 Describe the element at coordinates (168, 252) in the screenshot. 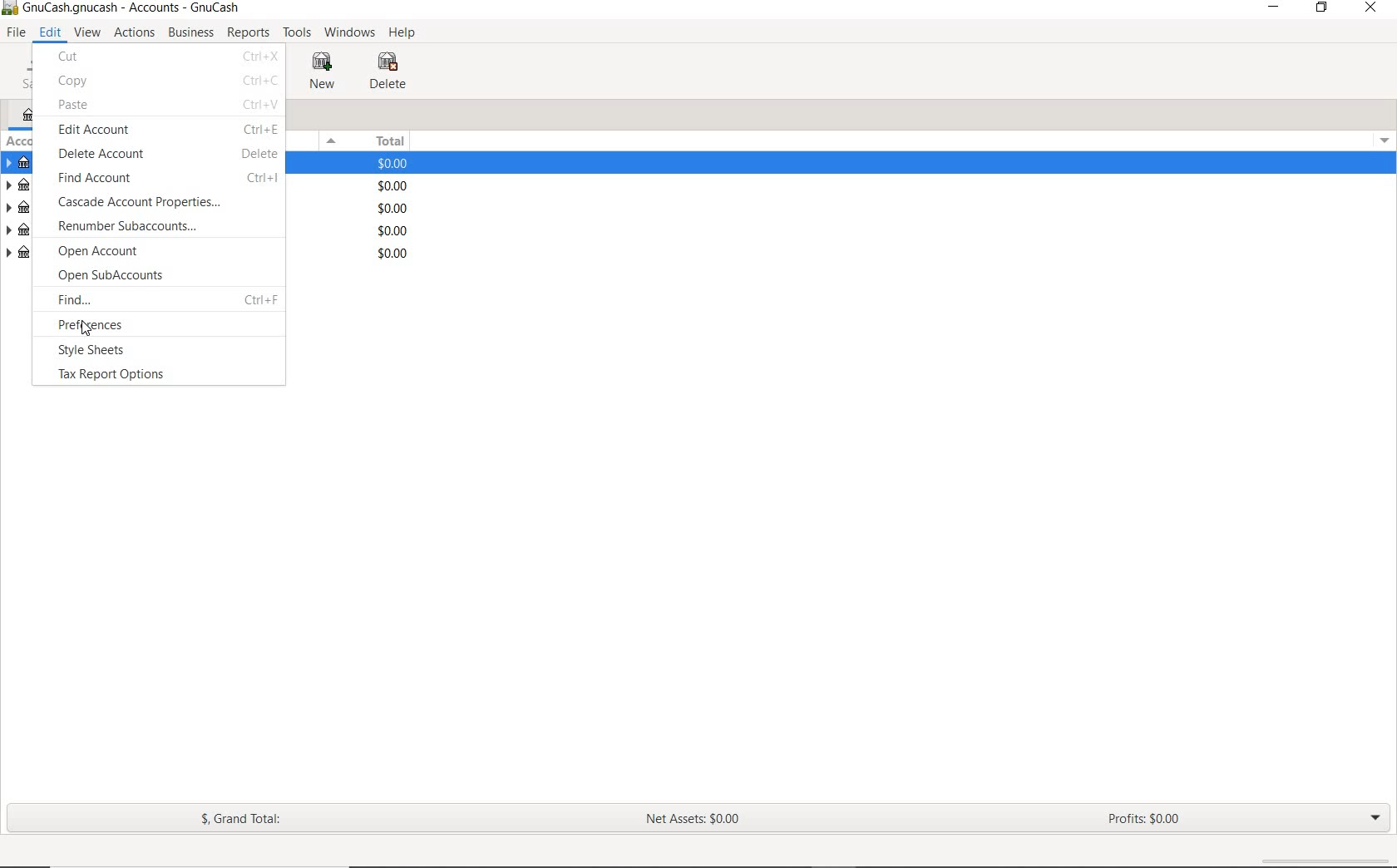

I see `OPEN ACCOUNT` at that location.